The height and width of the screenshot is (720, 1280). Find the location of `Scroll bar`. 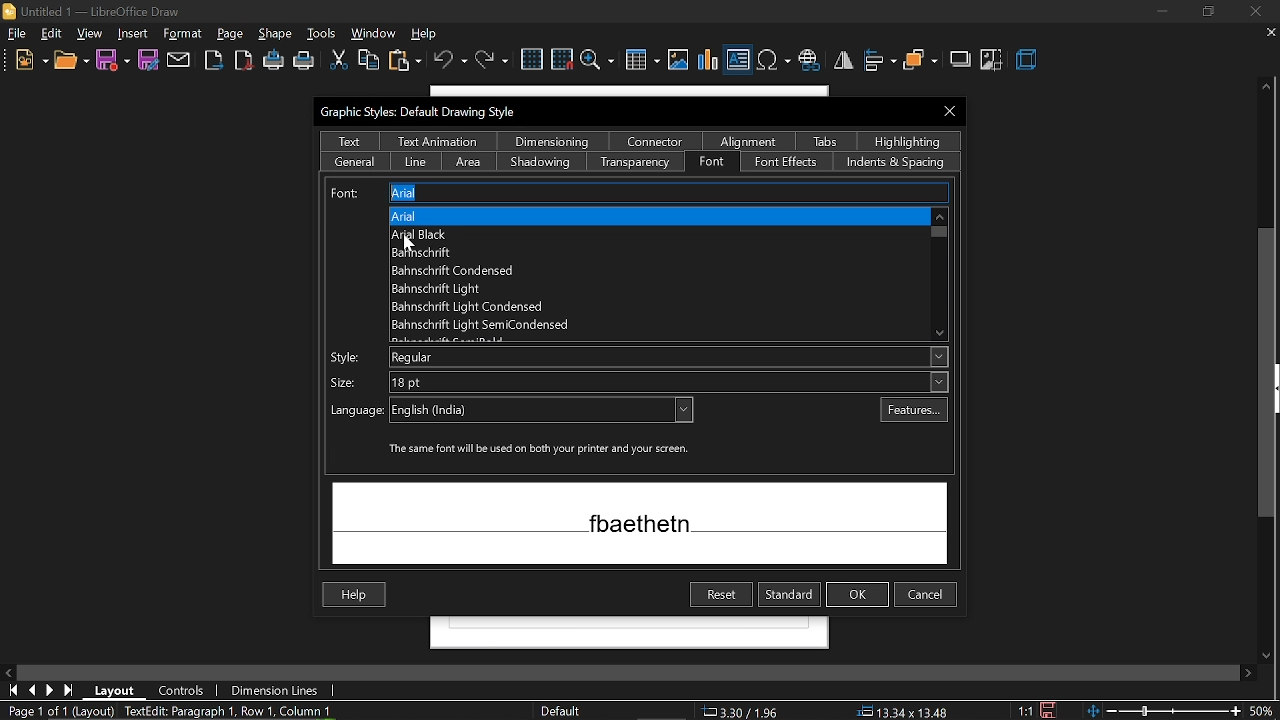

Scroll bar is located at coordinates (937, 273).